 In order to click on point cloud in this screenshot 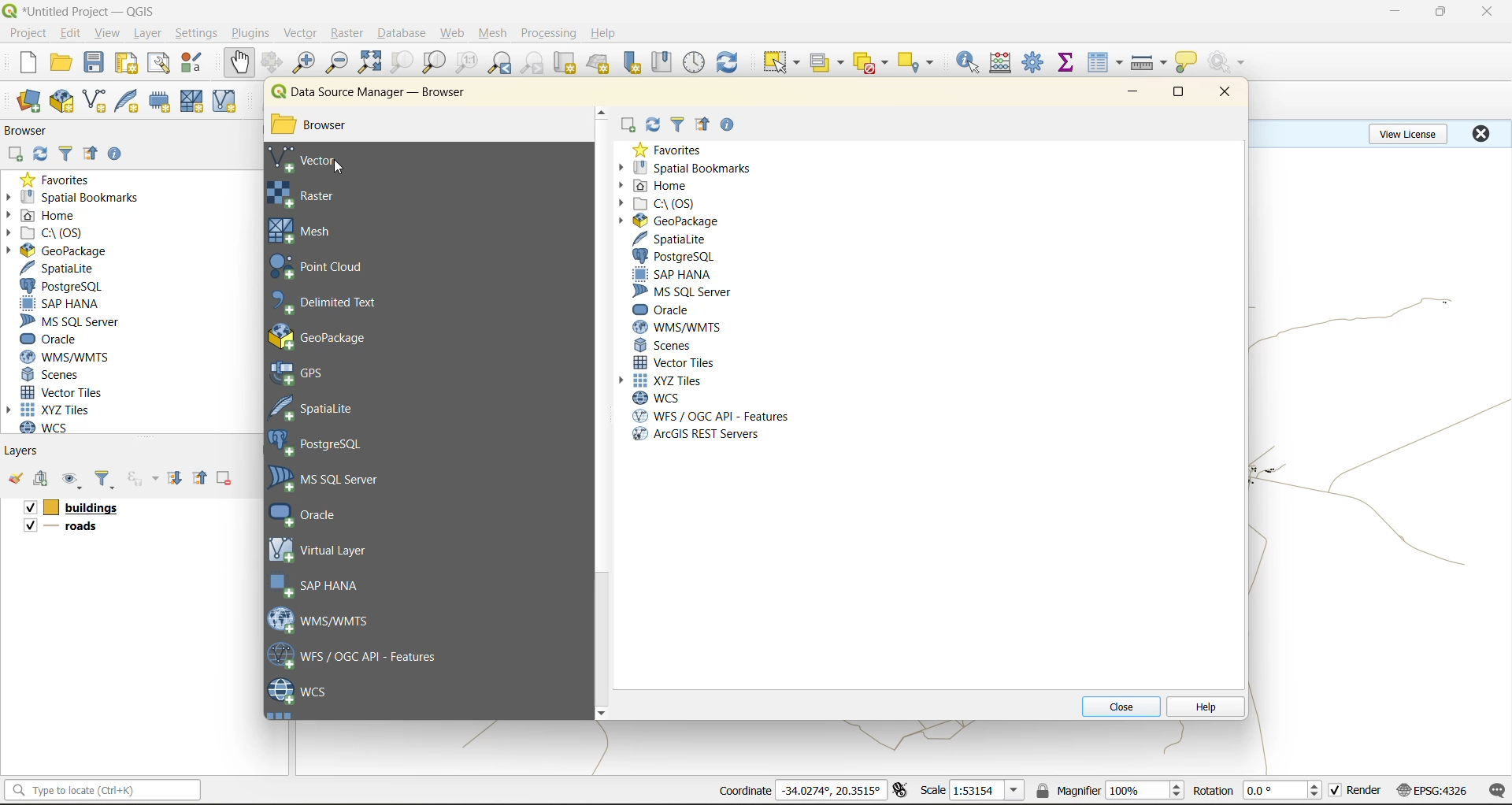, I will do `click(327, 268)`.